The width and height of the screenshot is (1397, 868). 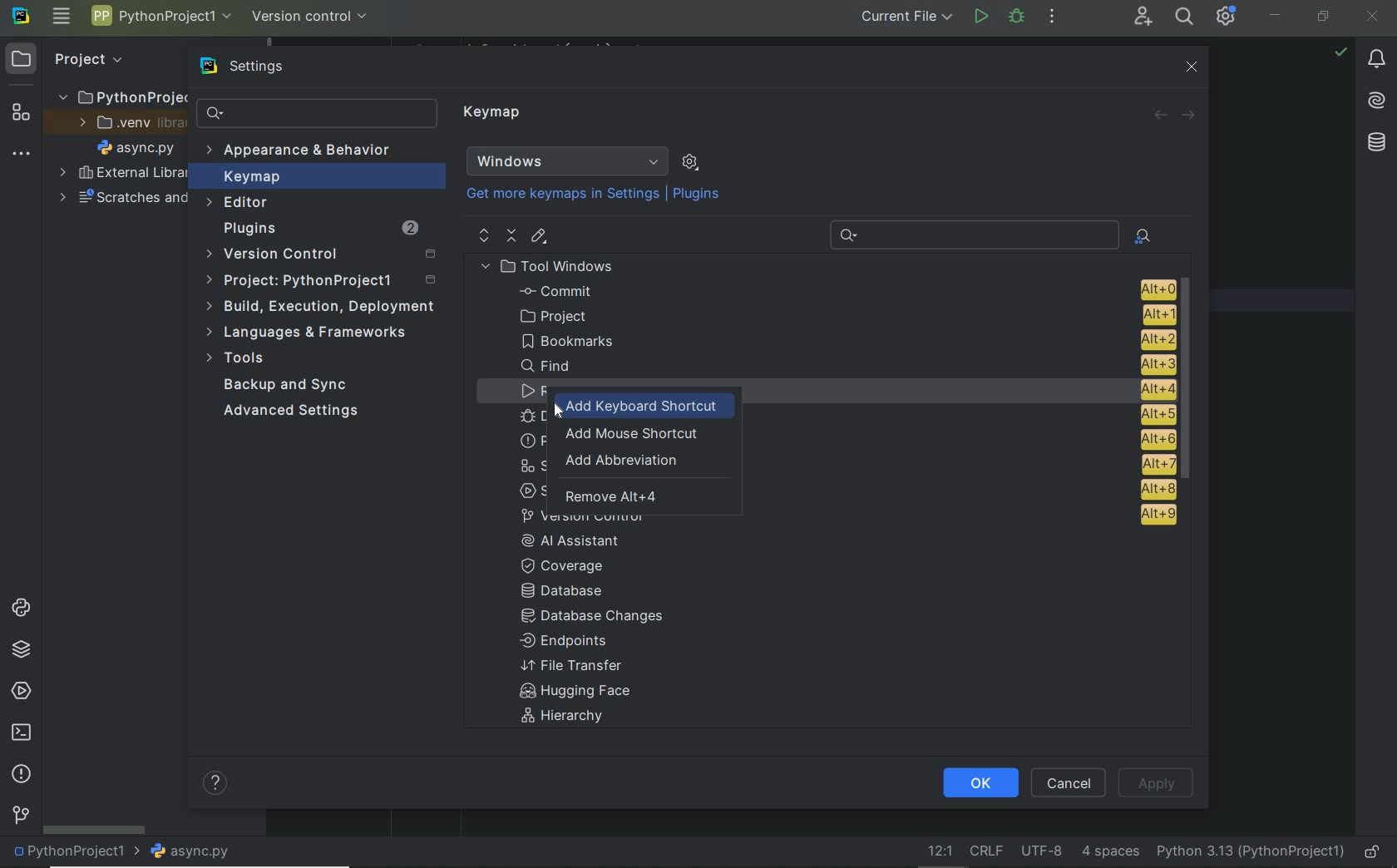 What do you see at coordinates (61, 17) in the screenshot?
I see `main menu` at bounding box center [61, 17].